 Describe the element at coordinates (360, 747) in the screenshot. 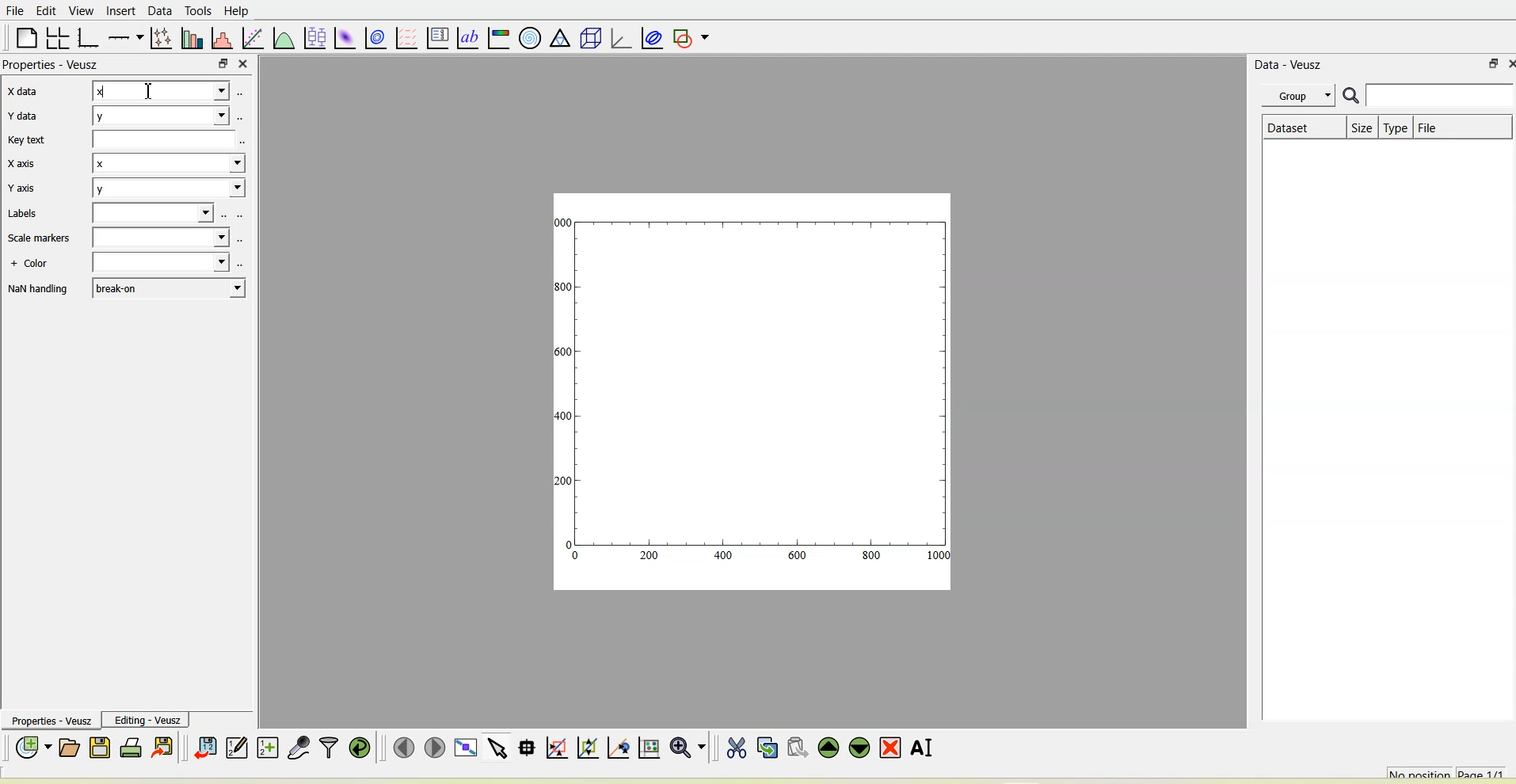

I see `Reload linked datasets` at that location.